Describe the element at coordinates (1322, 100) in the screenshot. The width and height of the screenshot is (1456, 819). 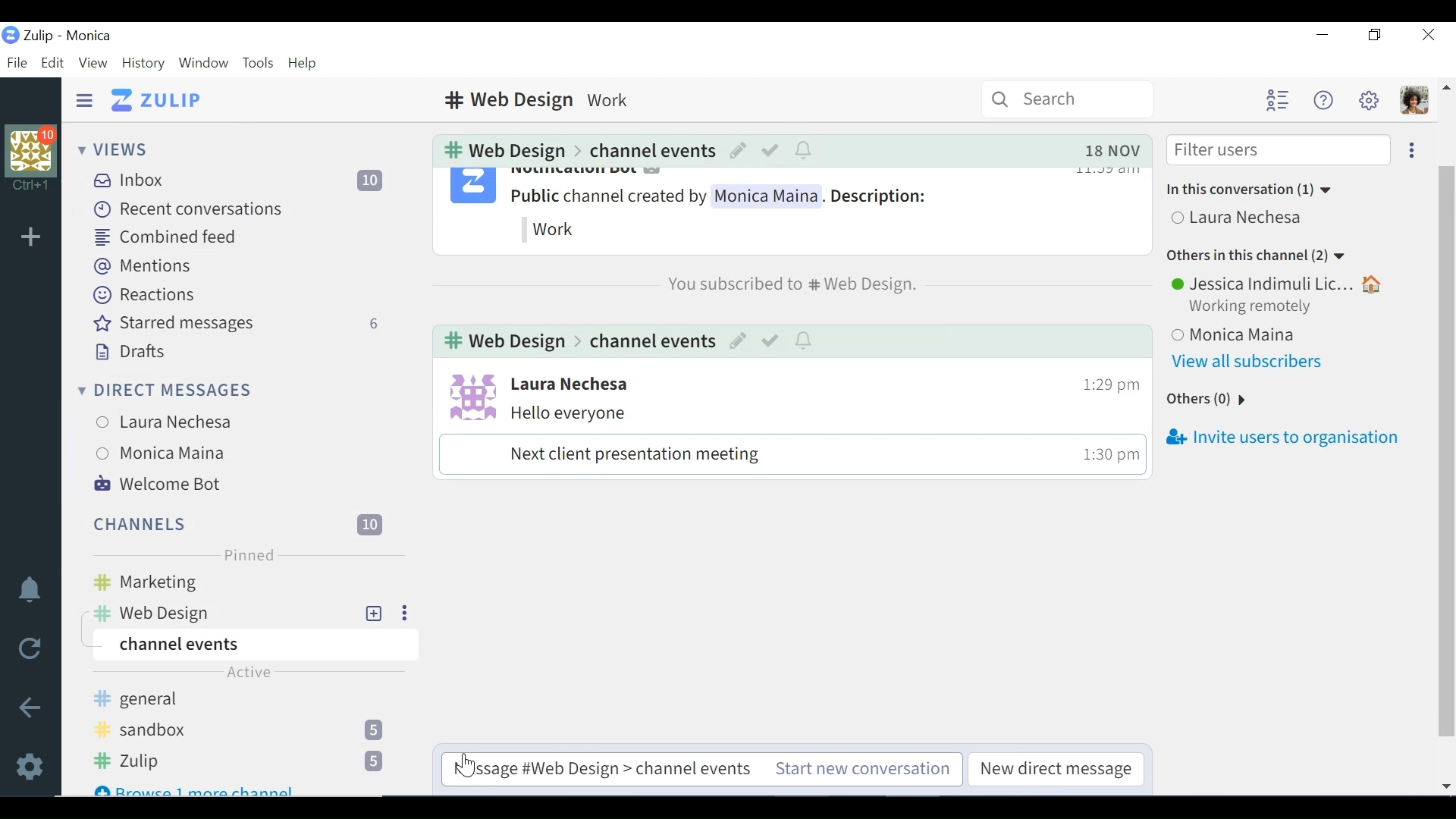
I see `Help menu` at that location.